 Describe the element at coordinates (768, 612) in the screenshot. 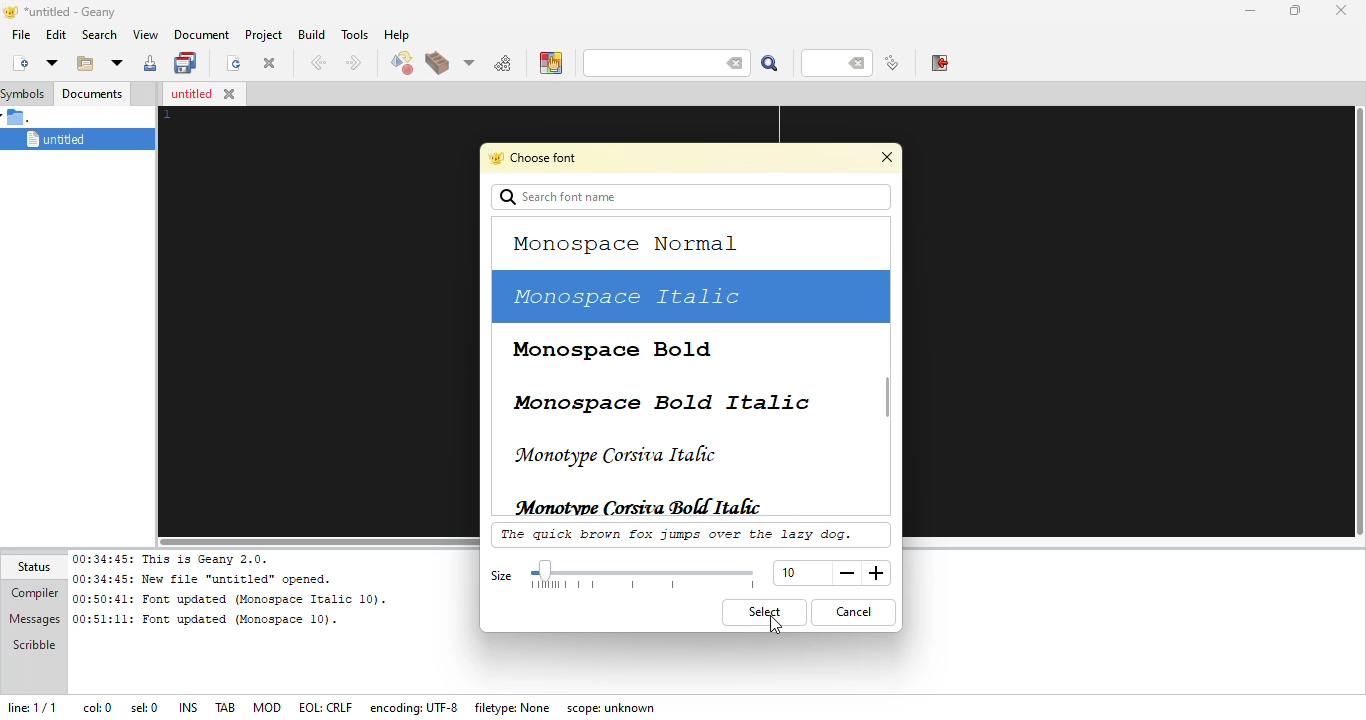

I see `select` at that location.